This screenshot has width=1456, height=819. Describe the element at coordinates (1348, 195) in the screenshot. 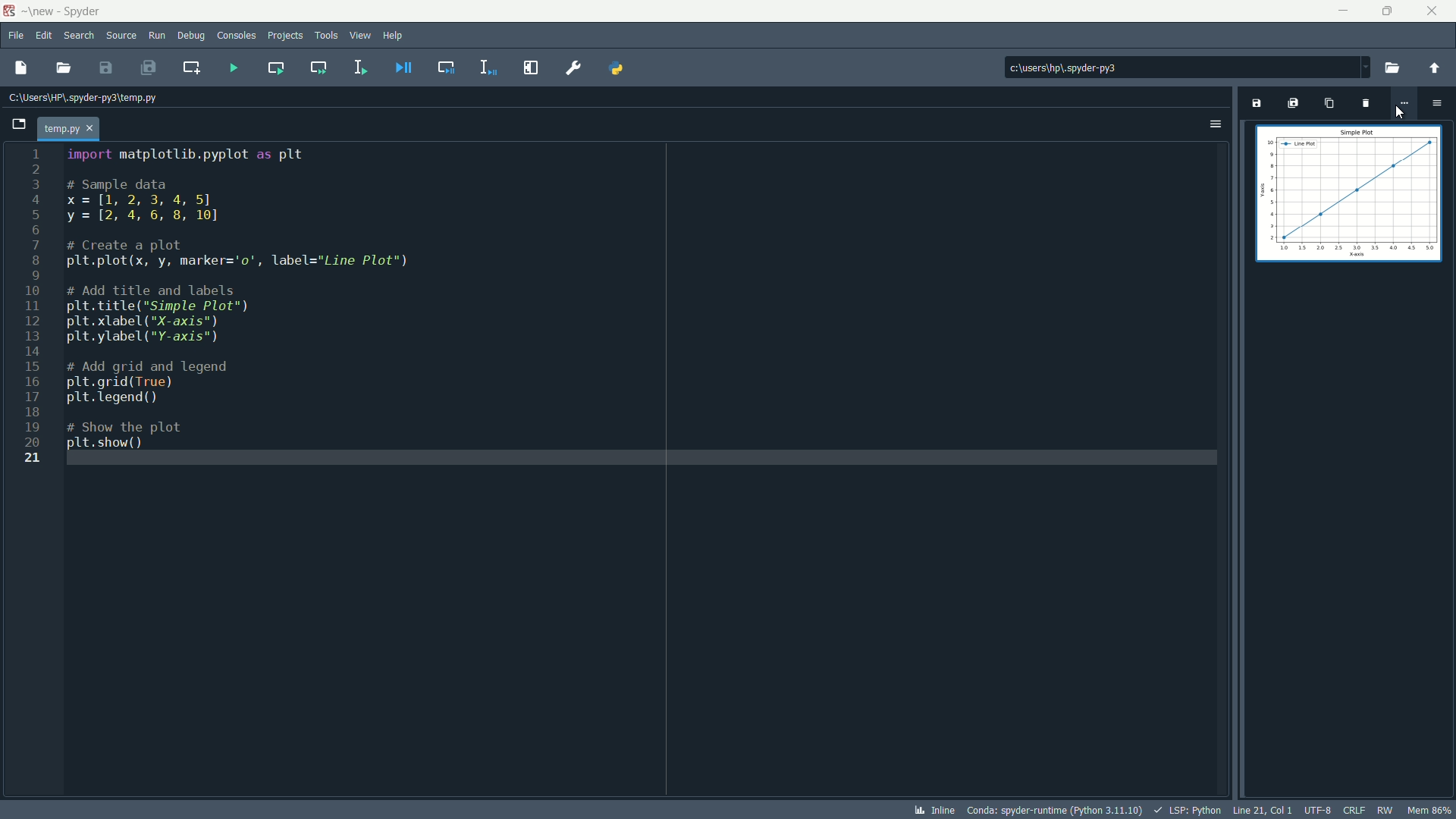

I see `graph` at that location.